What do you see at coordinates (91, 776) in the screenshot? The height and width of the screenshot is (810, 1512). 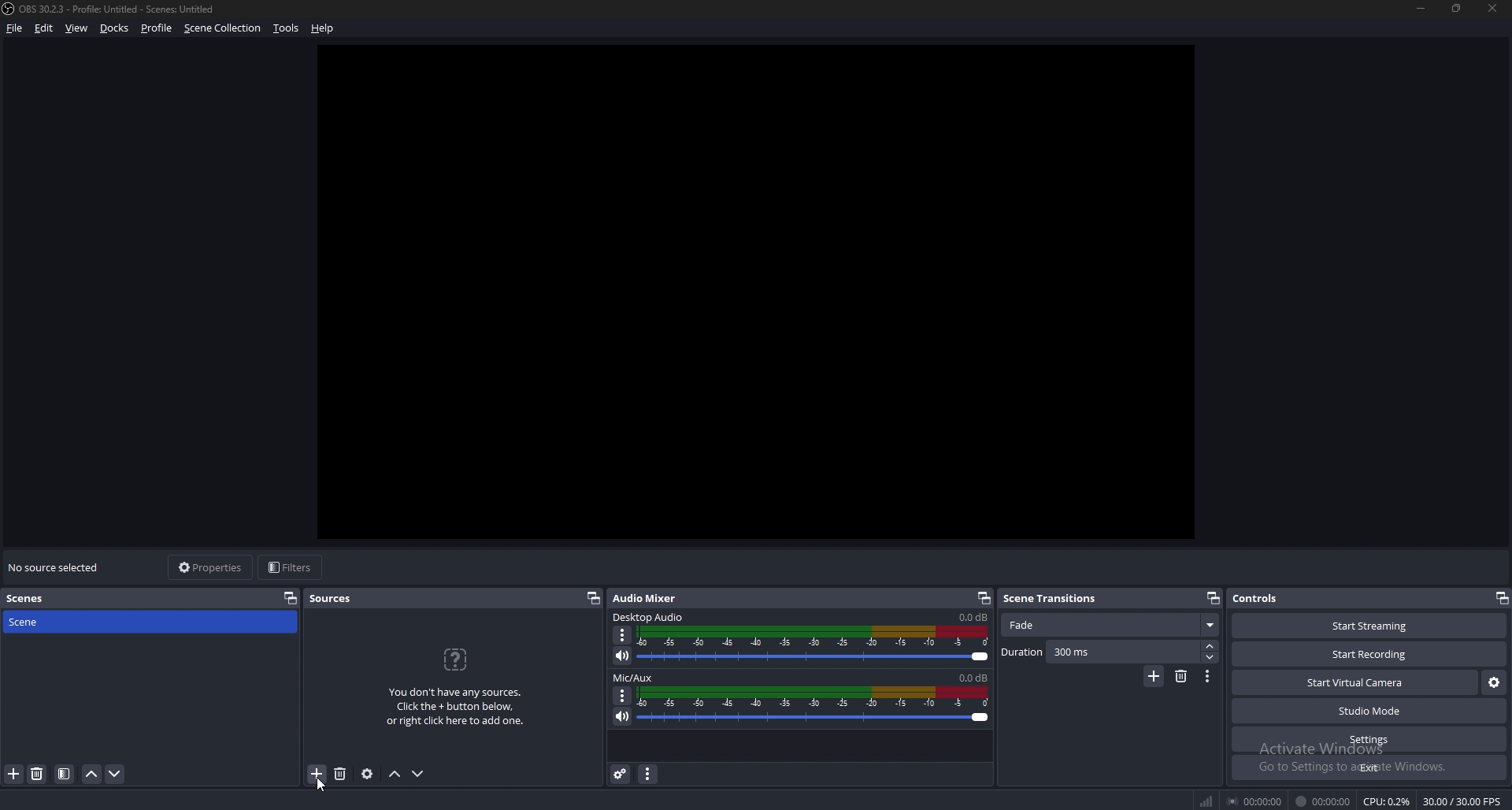 I see `Move scene up` at bounding box center [91, 776].